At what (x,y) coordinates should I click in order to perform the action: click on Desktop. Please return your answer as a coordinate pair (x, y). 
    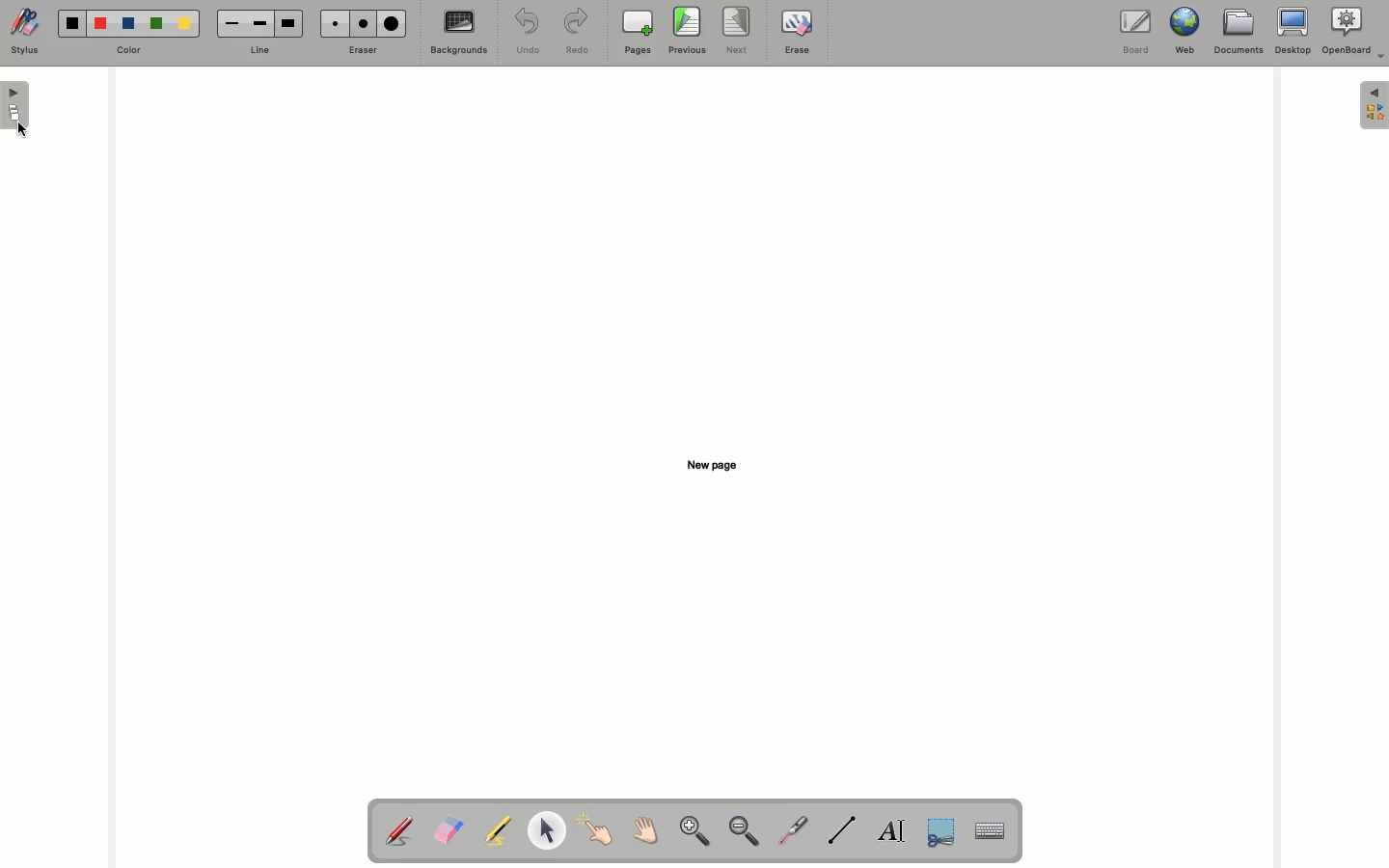
    Looking at the image, I should click on (1294, 31).